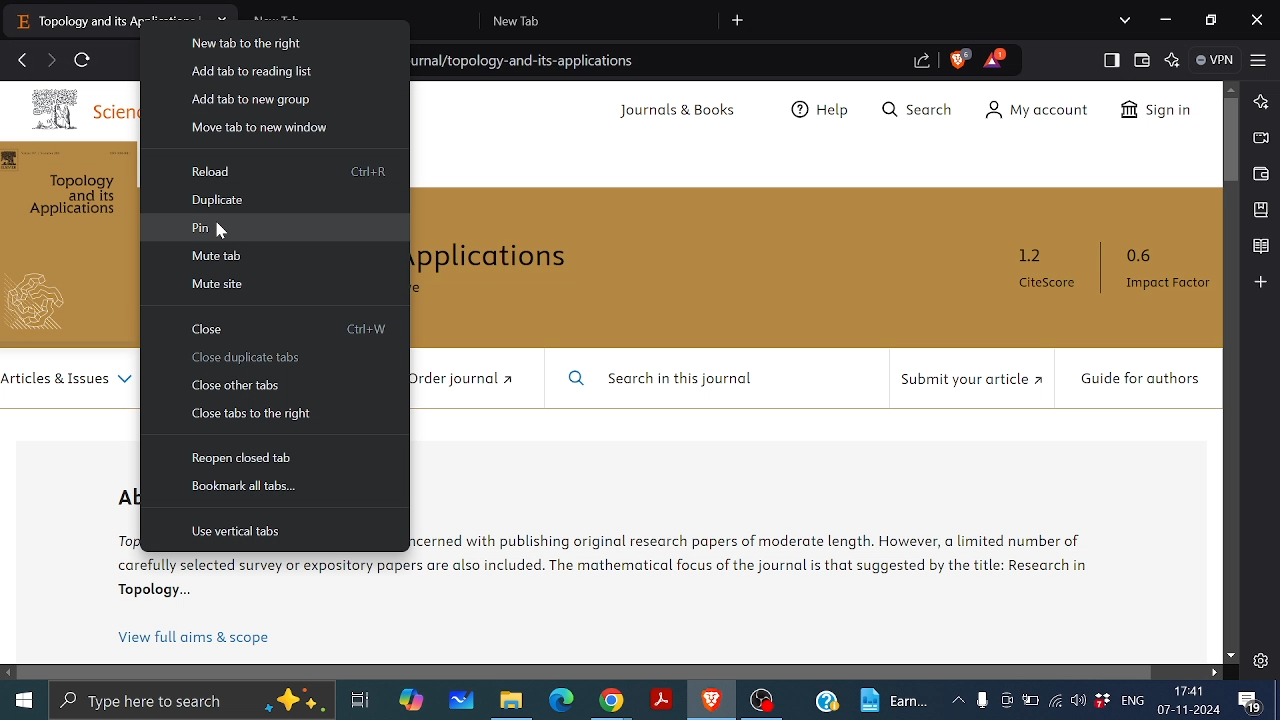 The image size is (1280, 720). Describe the element at coordinates (529, 63) in the screenshot. I see `url` at that location.